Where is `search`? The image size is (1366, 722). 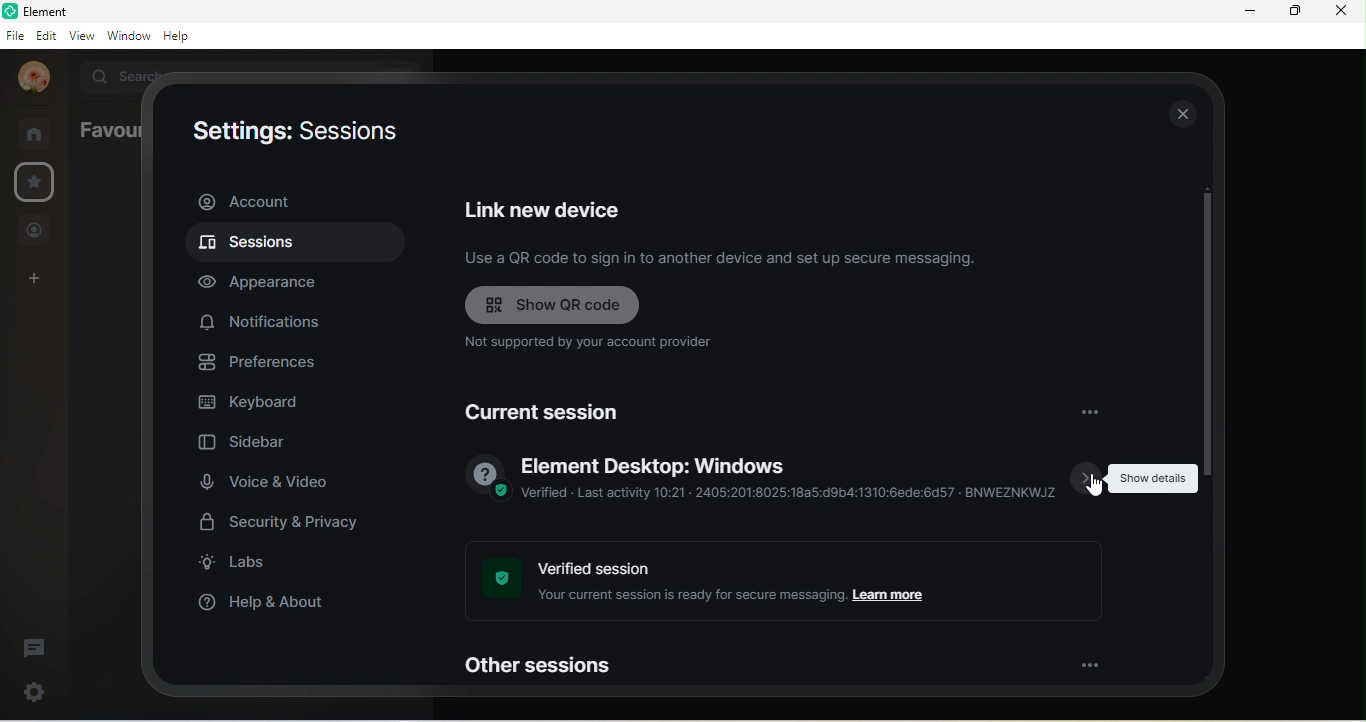 search is located at coordinates (119, 74).